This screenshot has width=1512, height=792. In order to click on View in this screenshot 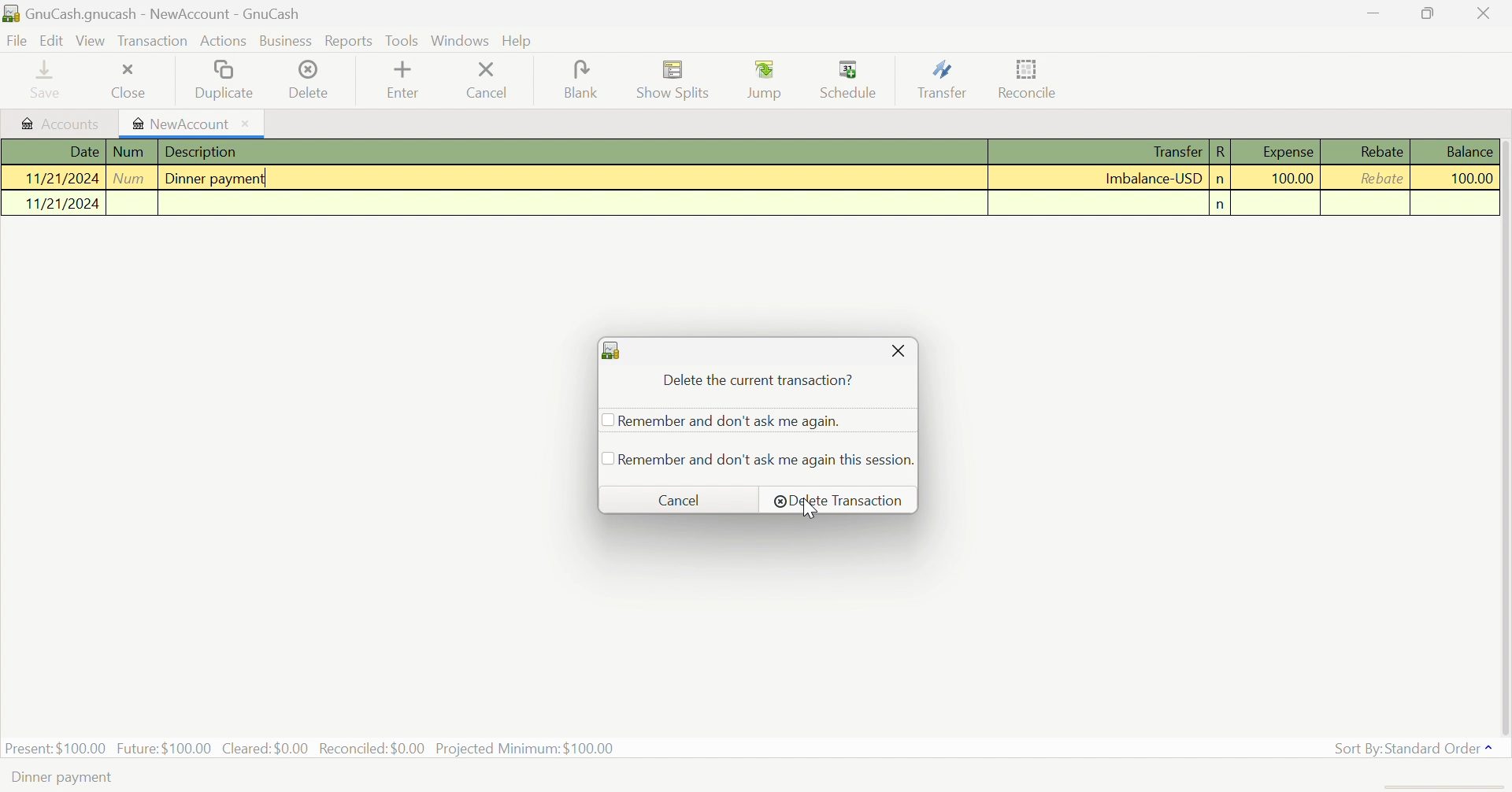, I will do `click(91, 41)`.